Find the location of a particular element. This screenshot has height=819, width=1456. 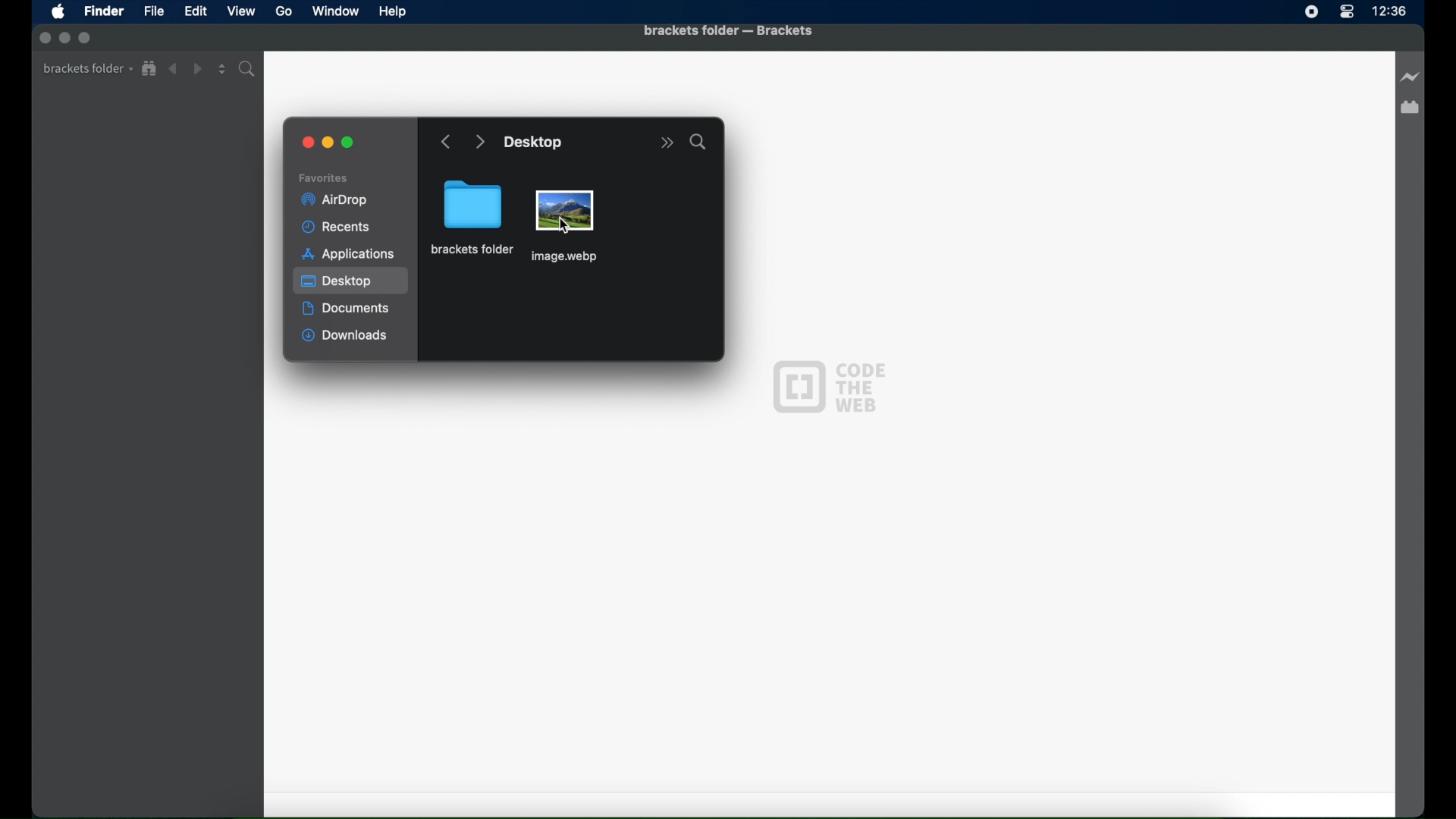

Finder is located at coordinates (105, 11).